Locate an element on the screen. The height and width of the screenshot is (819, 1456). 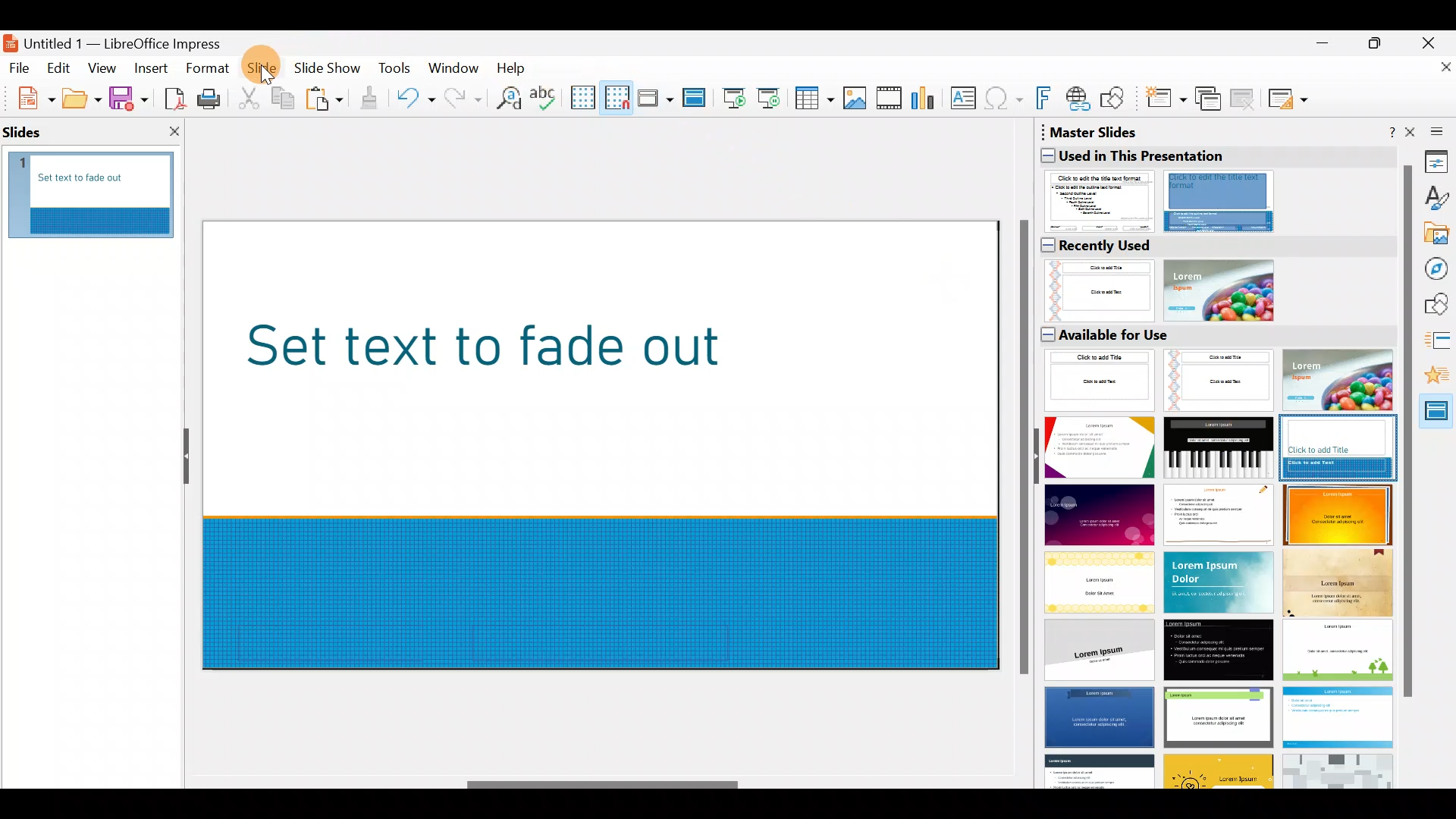
Print is located at coordinates (213, 100).